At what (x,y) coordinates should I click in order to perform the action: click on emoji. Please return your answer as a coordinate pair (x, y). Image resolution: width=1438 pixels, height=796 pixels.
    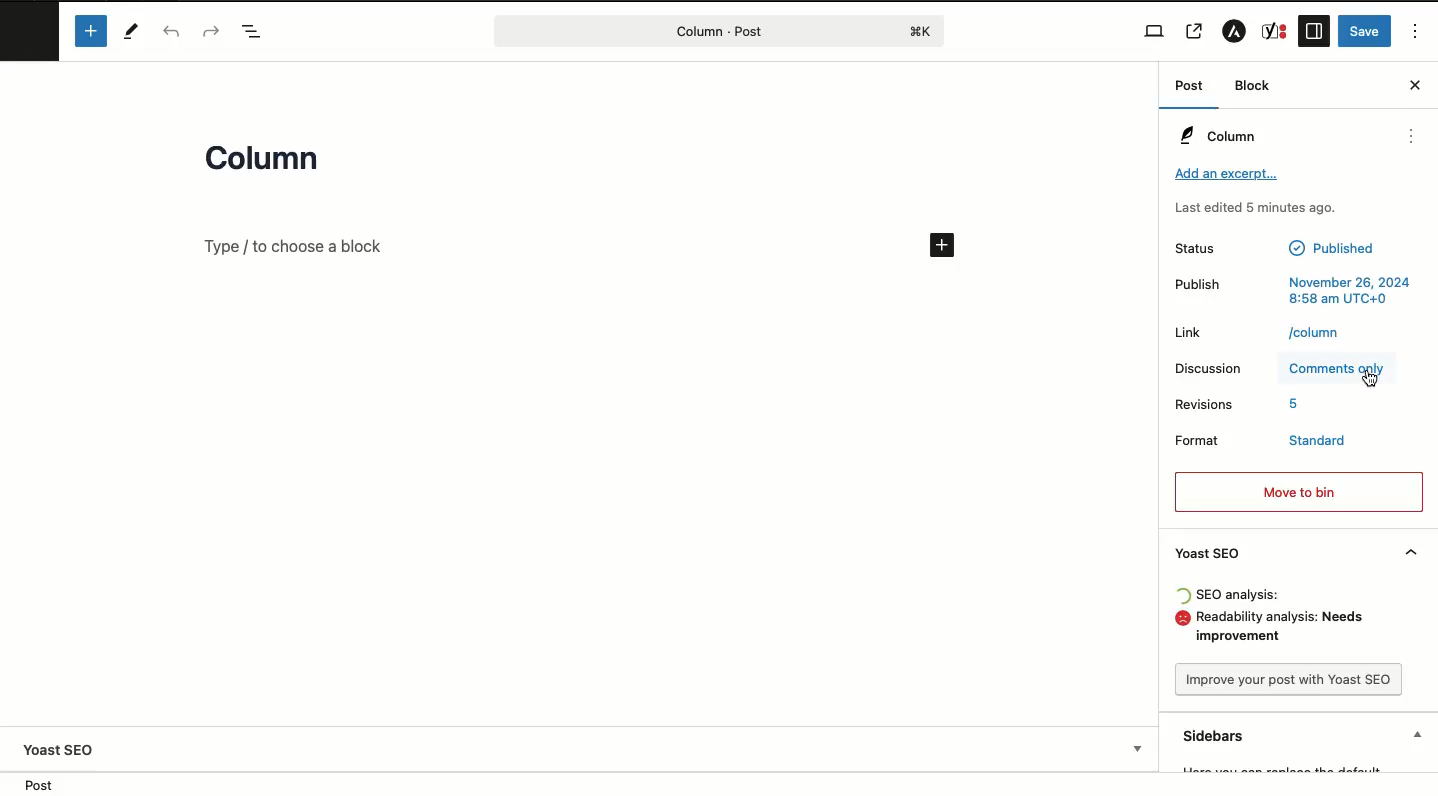
    Looking at the image, I should click on (1182, 619).